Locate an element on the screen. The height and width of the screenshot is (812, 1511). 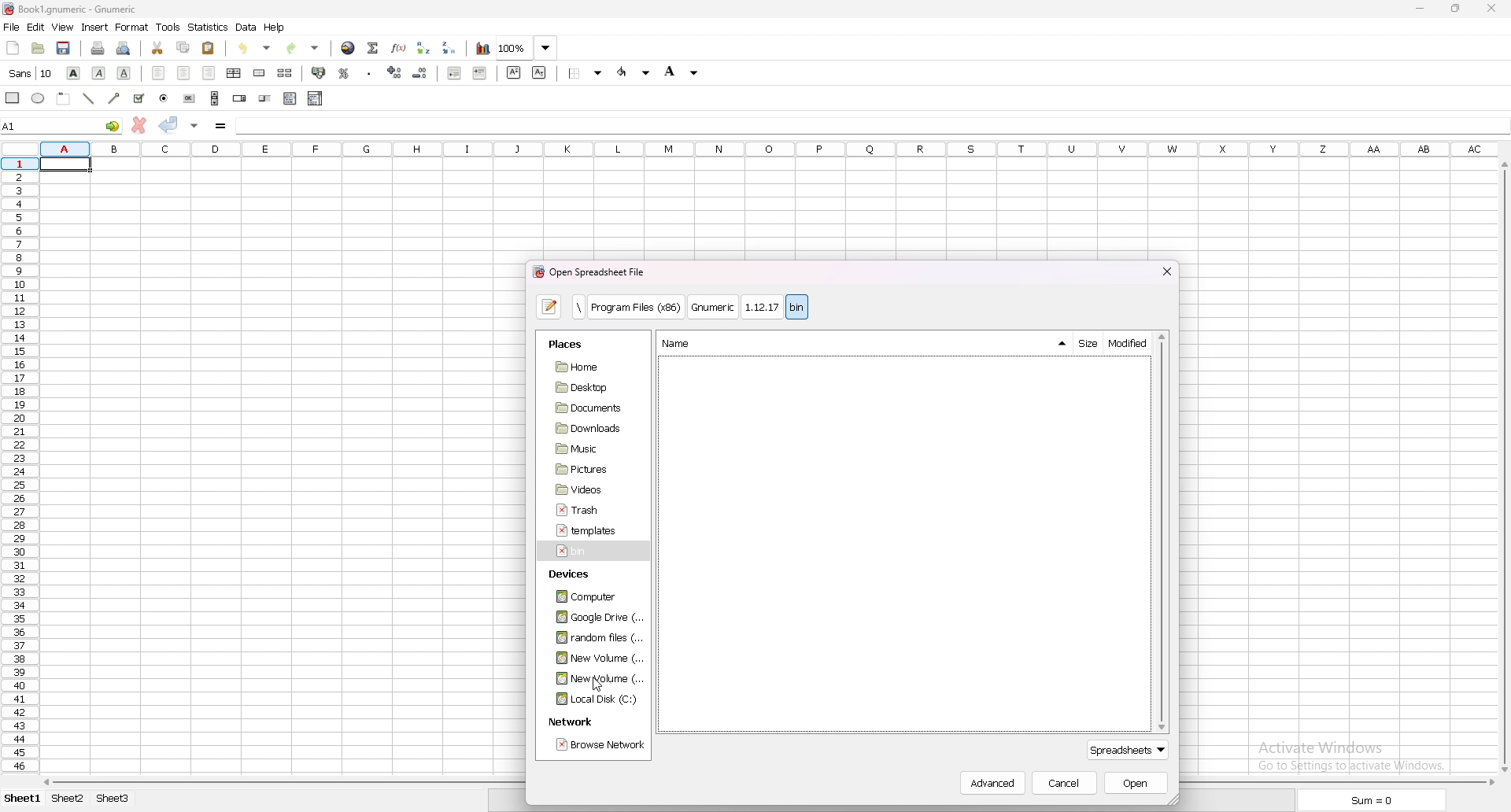
sum=0 is located at coordinates (1366, 800).